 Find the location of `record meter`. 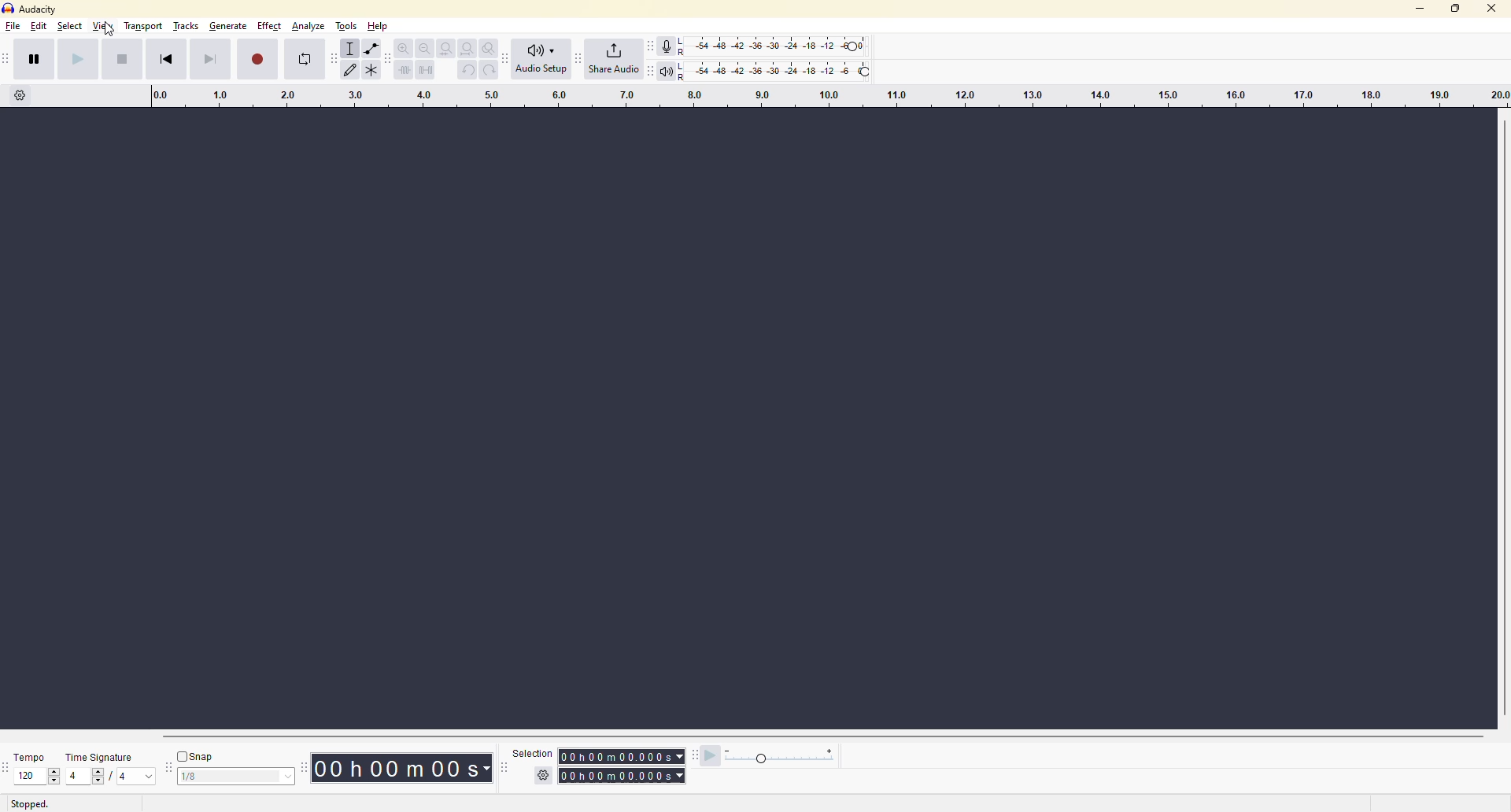

record meter is located at coordinates (671, 45).